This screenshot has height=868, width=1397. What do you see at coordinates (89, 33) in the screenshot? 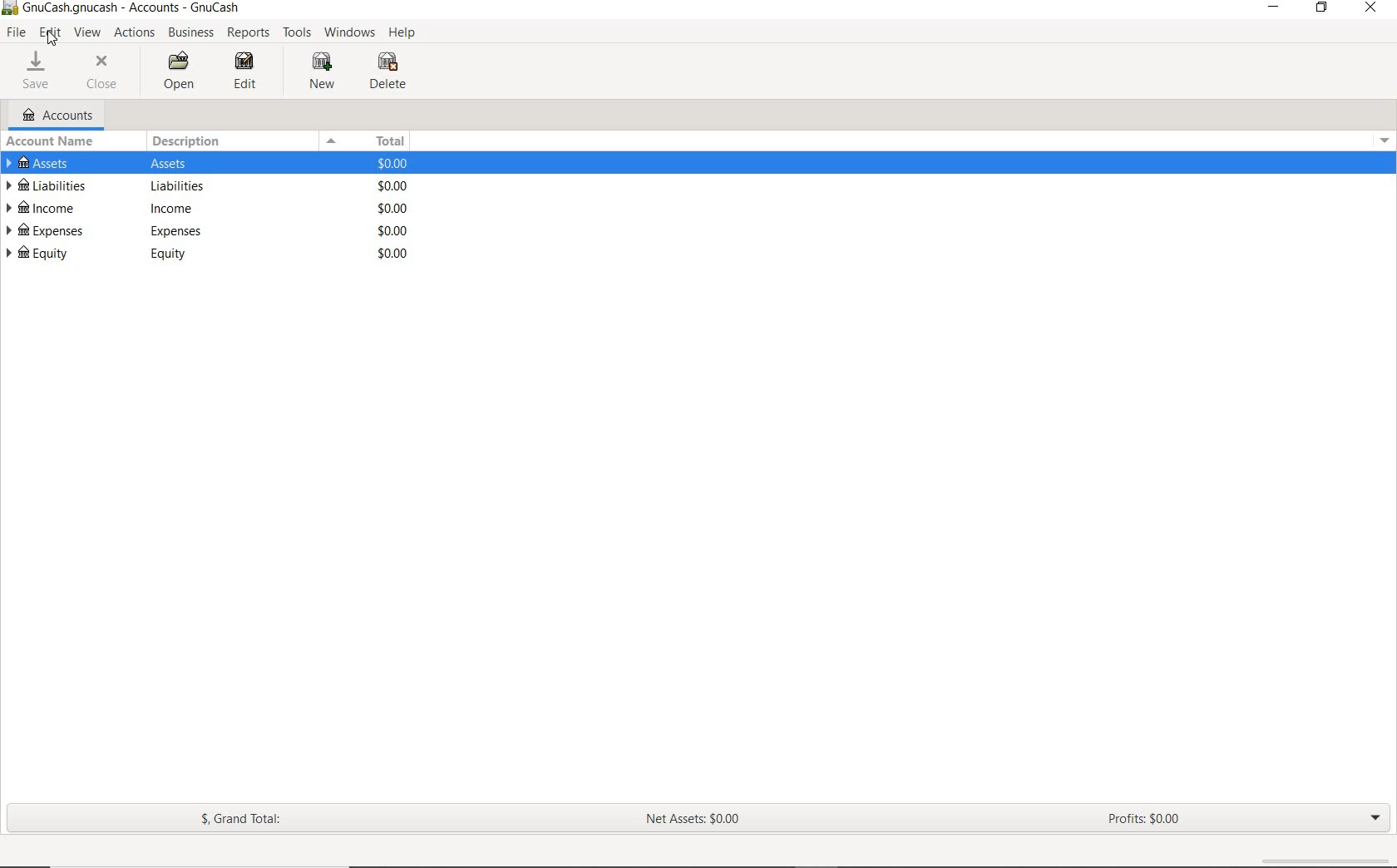
I see `VIEW` at bounding box center [89, 33].